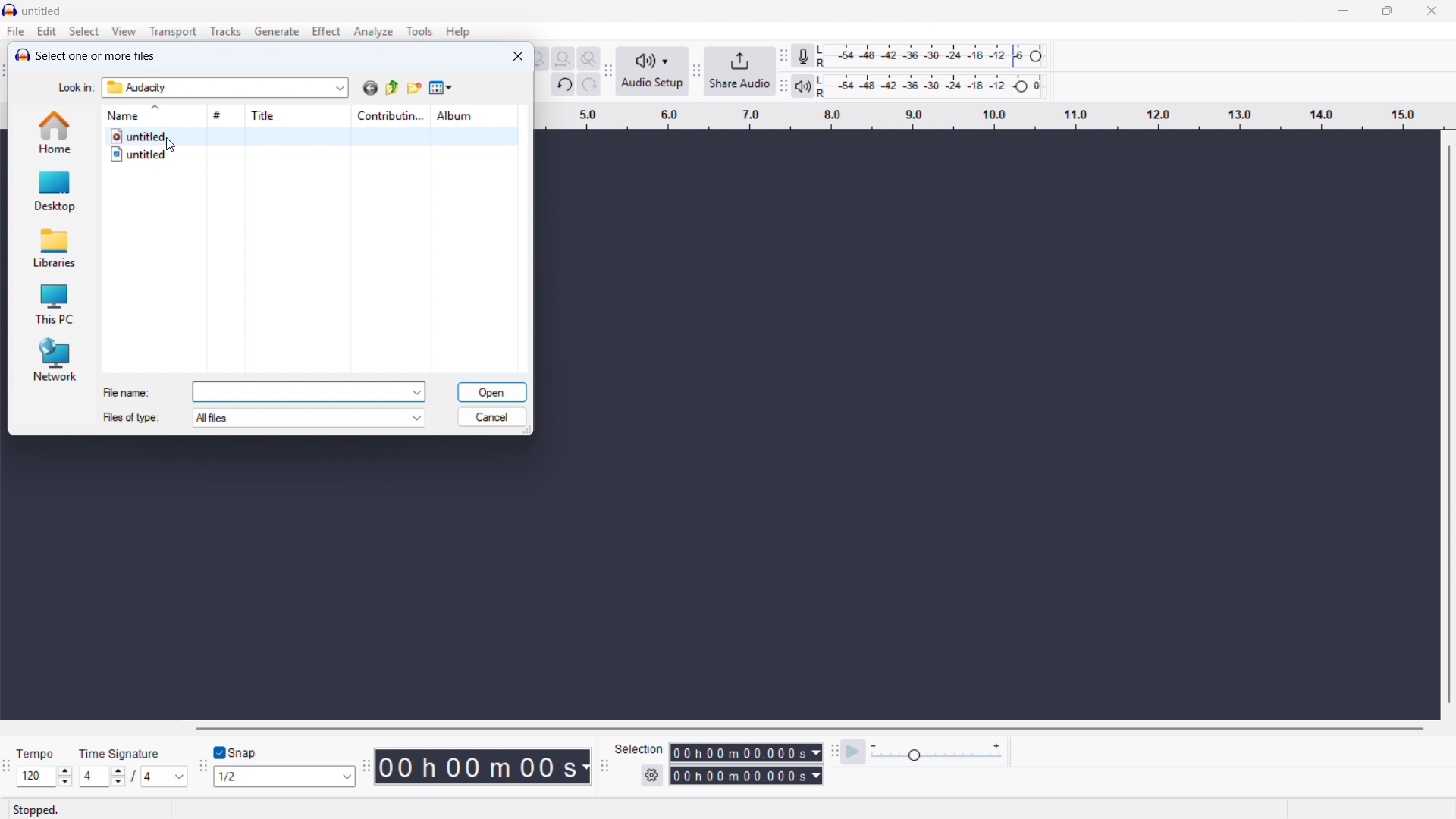 This screenshot has height=819, width=1456. What do you see at coordinates (589, 85) in the screenshot?
I see `Redo` at bounding box center [589, 85].